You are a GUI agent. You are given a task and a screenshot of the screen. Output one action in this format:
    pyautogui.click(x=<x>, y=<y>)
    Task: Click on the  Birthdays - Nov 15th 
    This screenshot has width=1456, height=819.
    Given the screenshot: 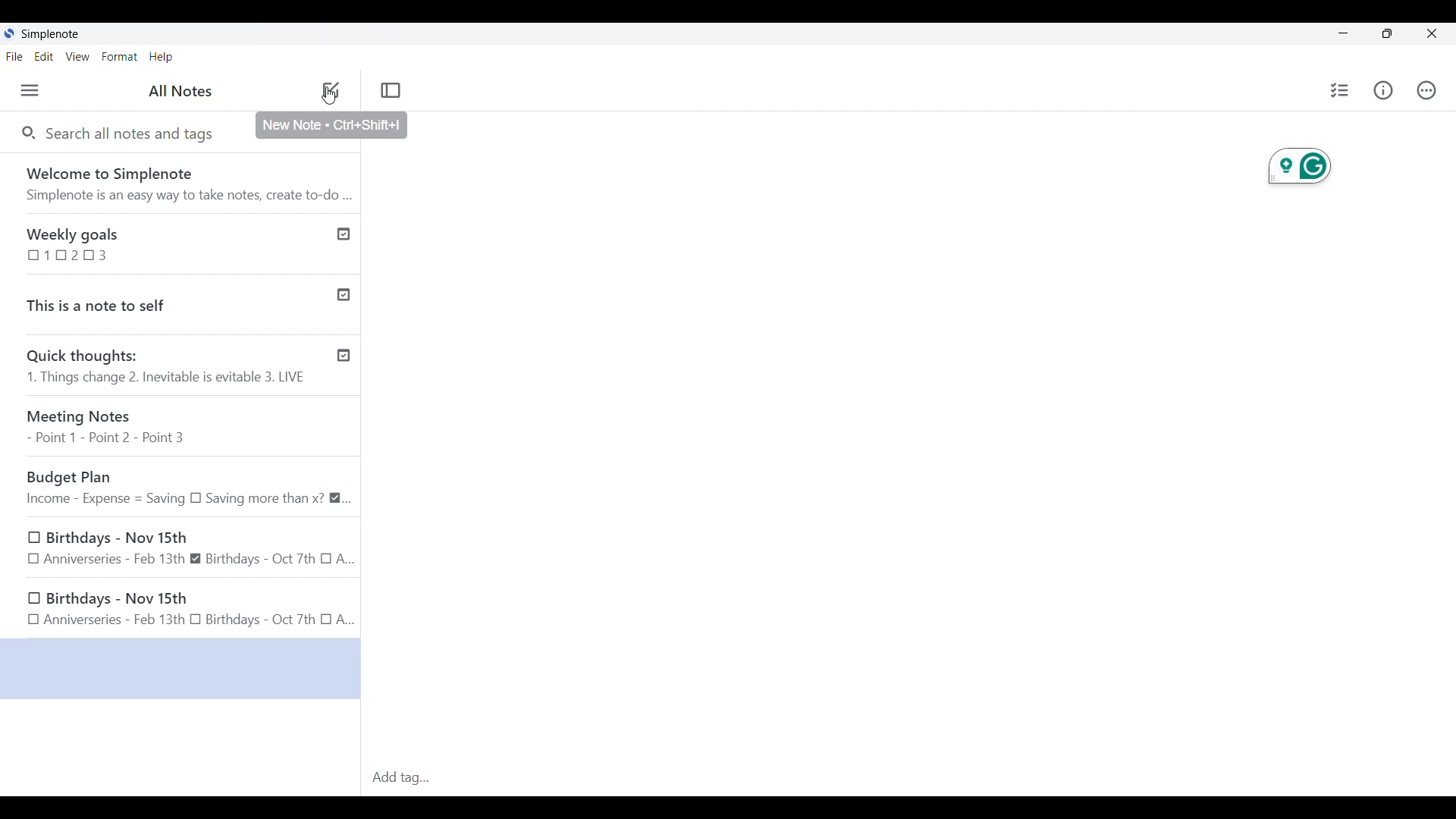 What is the action you would take?
    pyautogui.click(x=190, y=548)
    